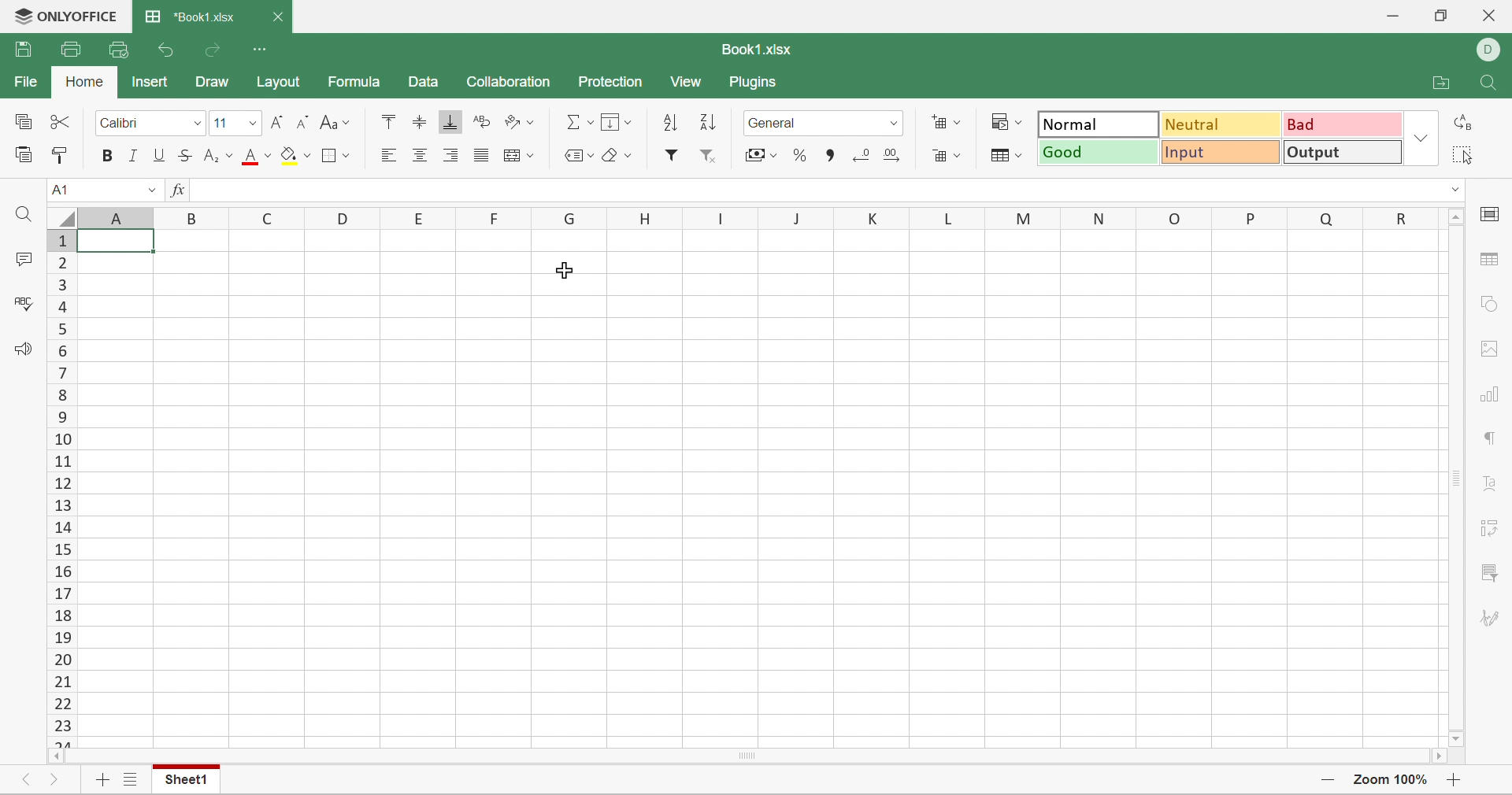  Describe the element at coordinates (1455, 782) in the screenshot. I see `Zoom in` at that location.